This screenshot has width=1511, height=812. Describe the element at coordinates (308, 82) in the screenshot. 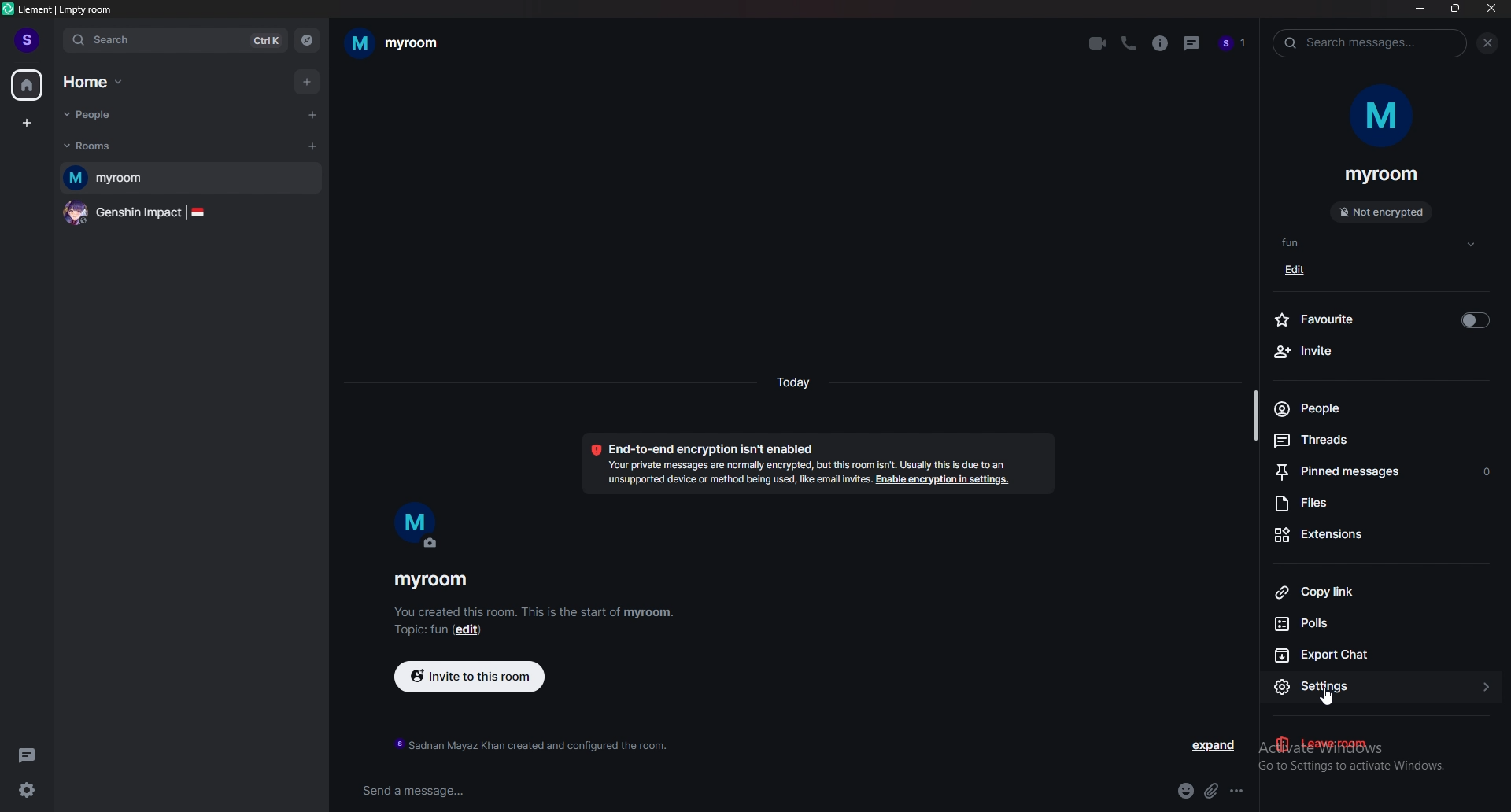

I see `add` at that location.